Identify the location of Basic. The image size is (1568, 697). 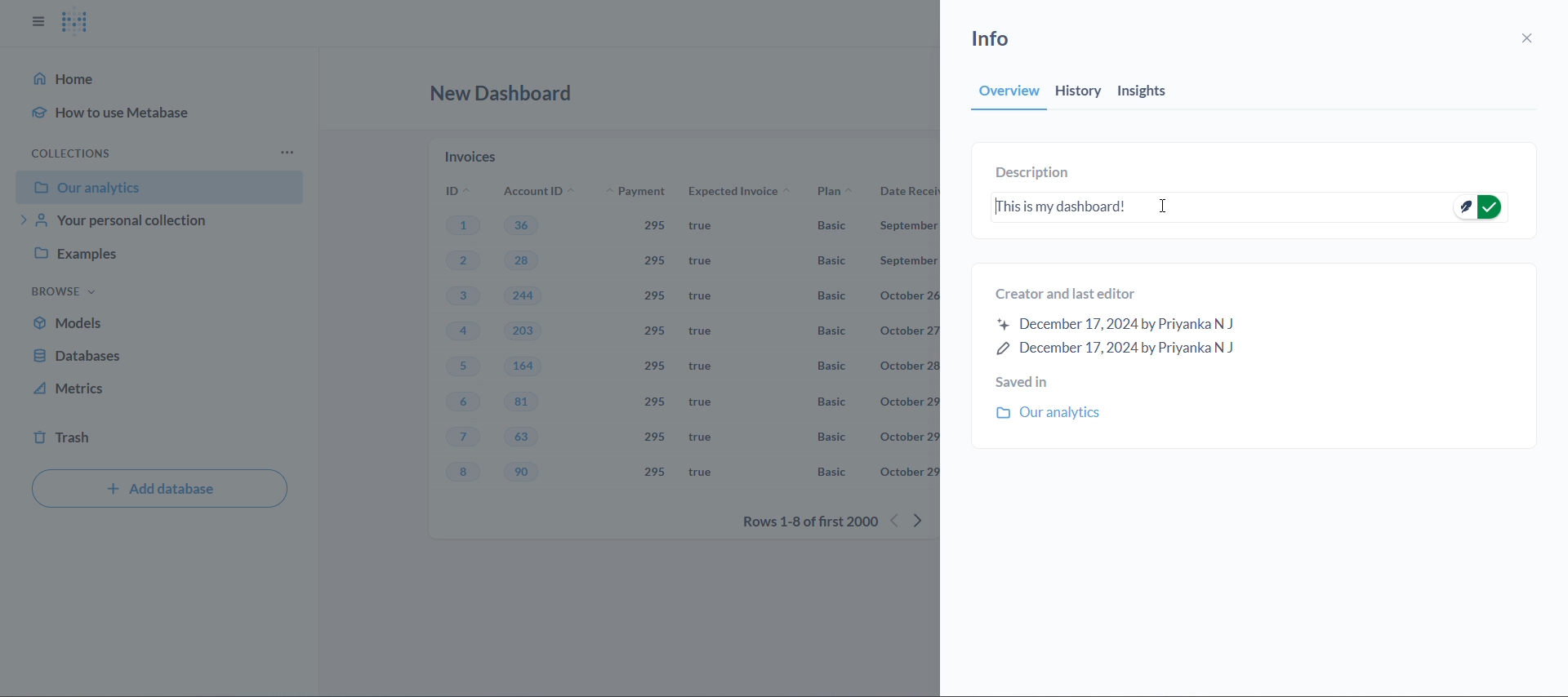
(832, 438).